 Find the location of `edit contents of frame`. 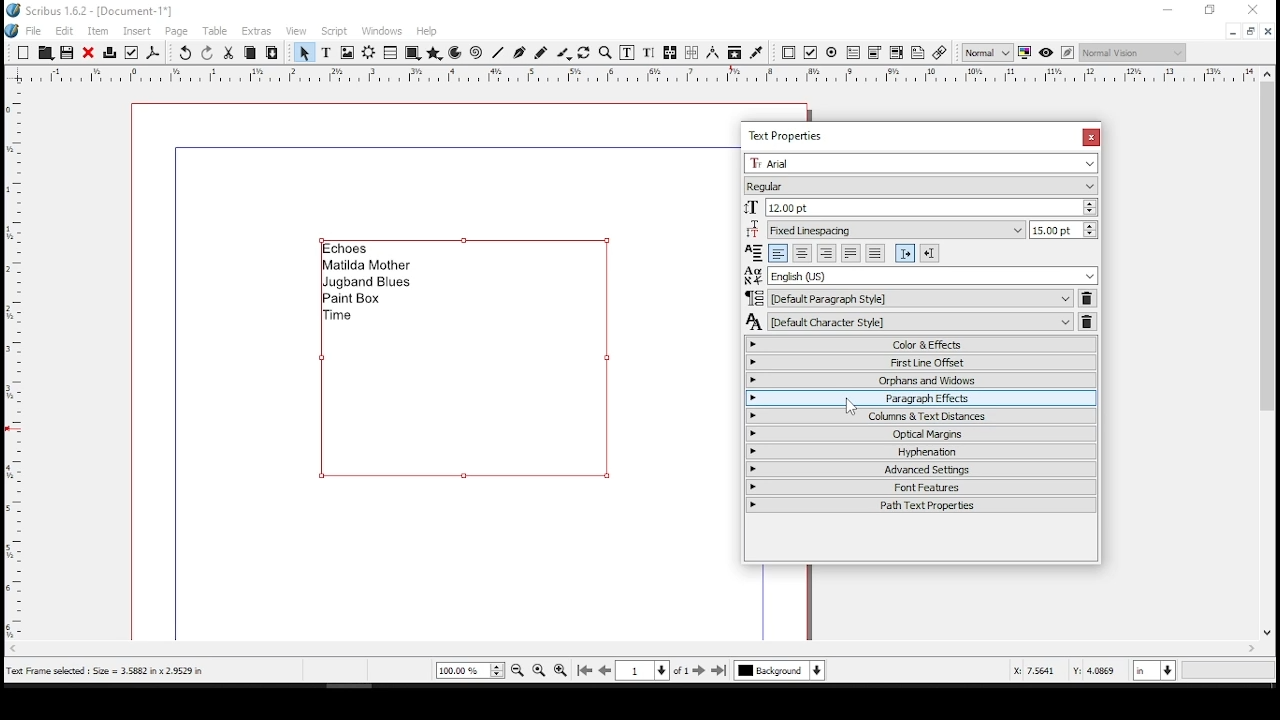

edit contents of frame is located at coordinates (626, 53).